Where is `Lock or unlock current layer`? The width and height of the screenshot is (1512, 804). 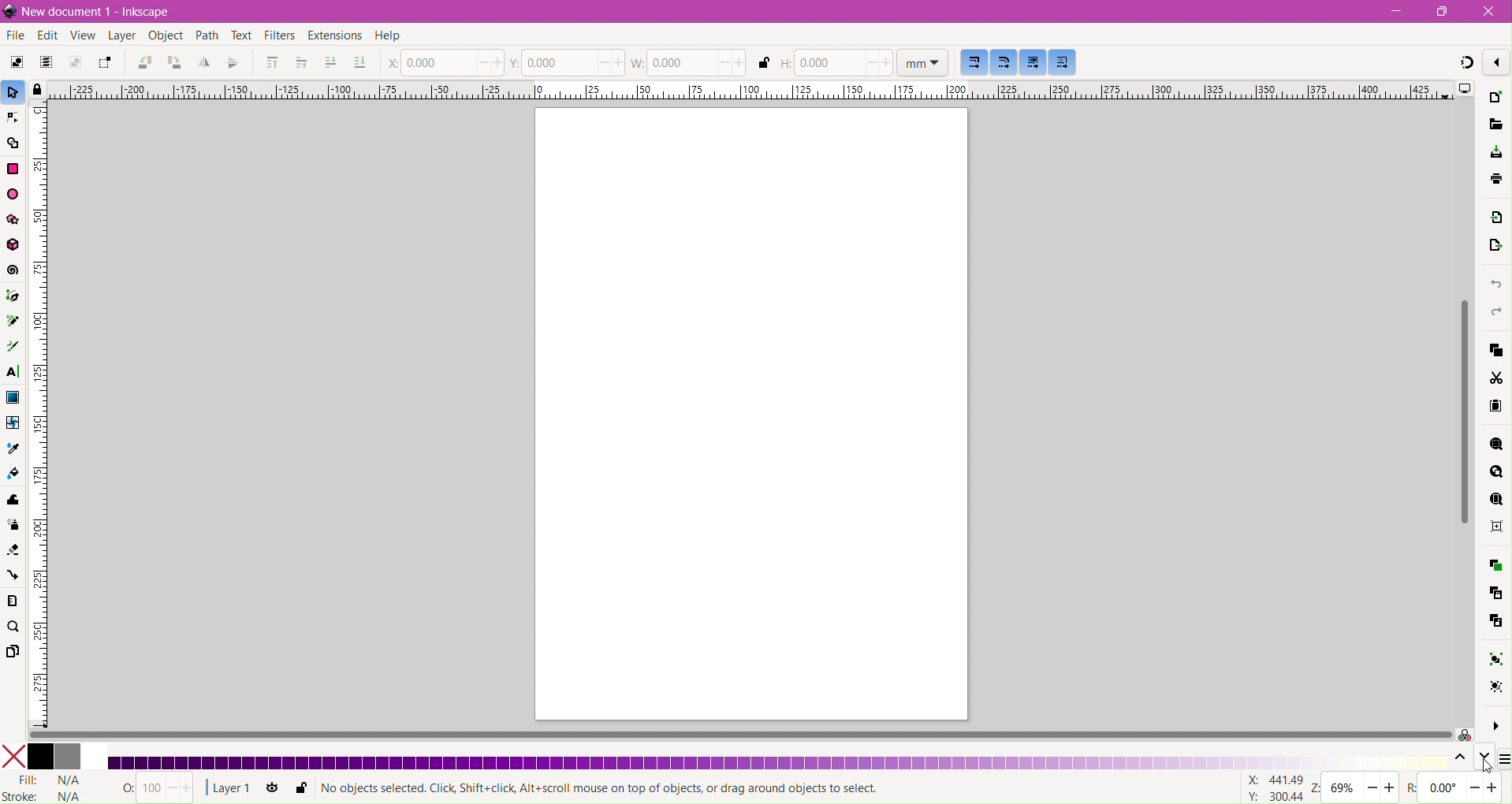
Lock or unlock current layer is located at coordinates (300, 789).